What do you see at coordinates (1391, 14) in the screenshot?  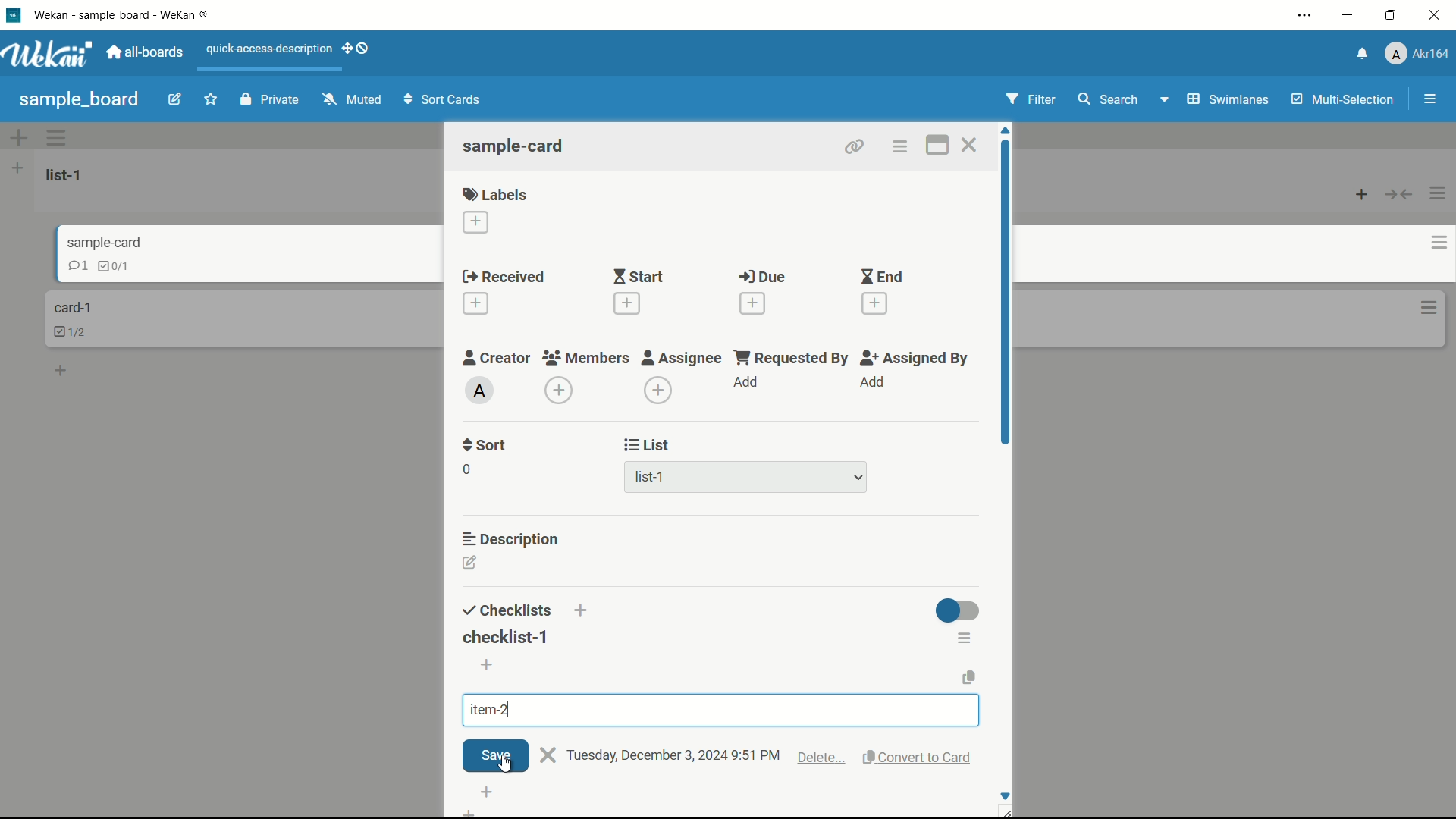 I see `maximize` at bounding box center [1391, 14].